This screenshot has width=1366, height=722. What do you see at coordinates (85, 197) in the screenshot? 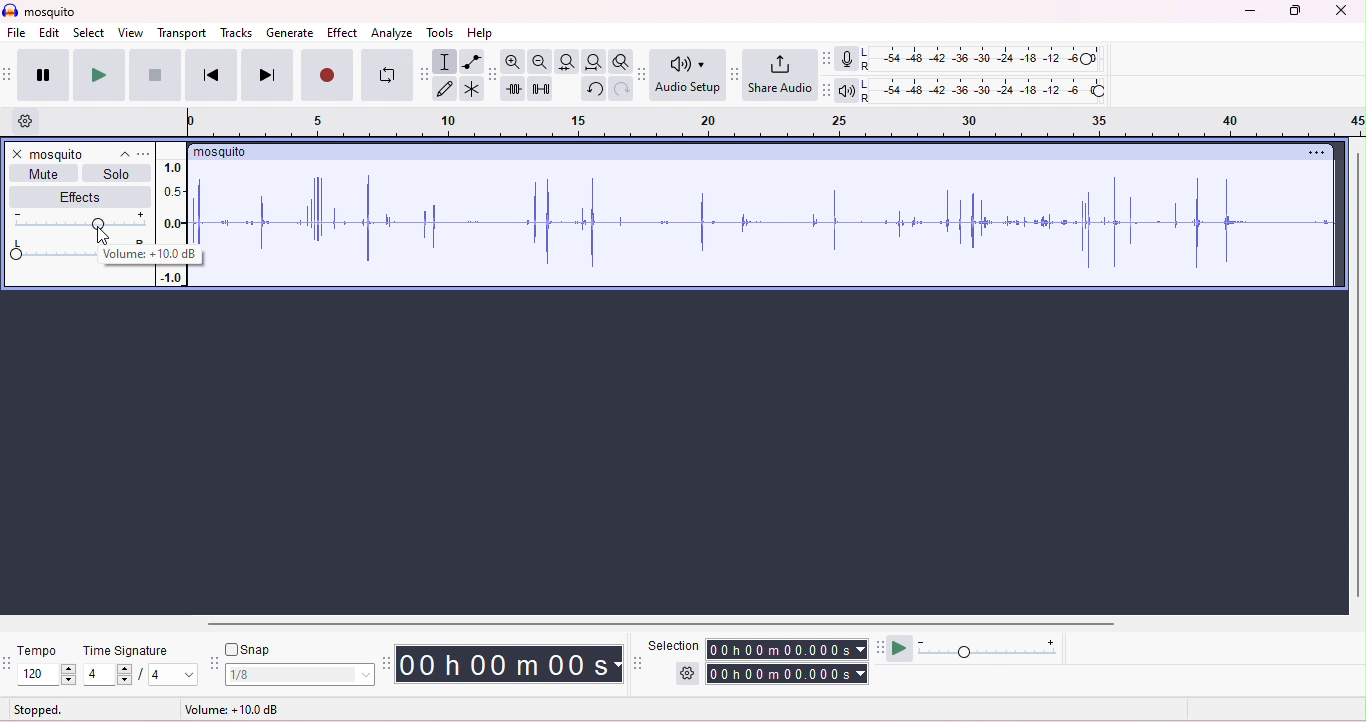
I see `effects` at bounding box center [85, 197].